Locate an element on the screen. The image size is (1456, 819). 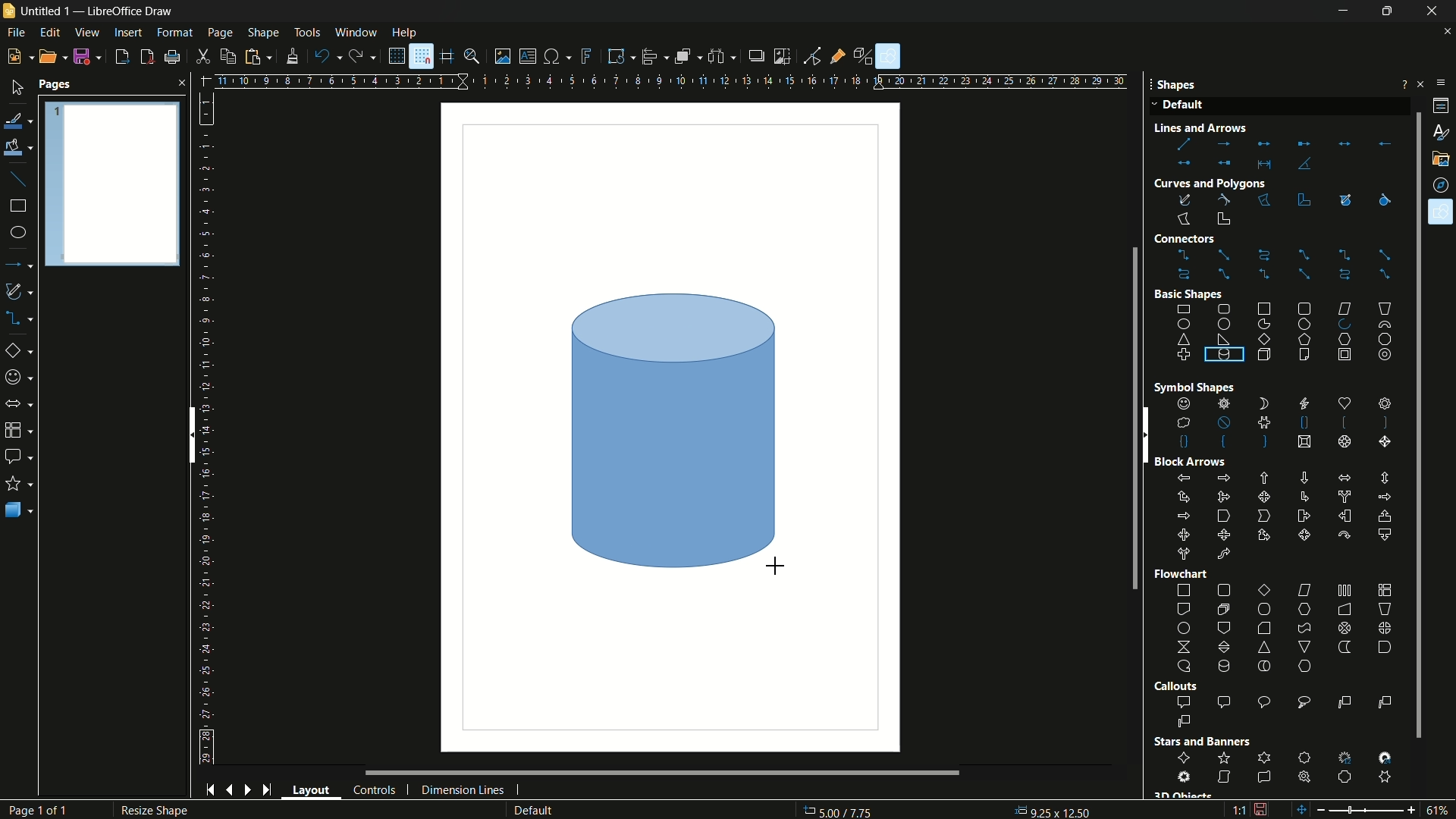
edit menu is located at coordinates (49, 33).